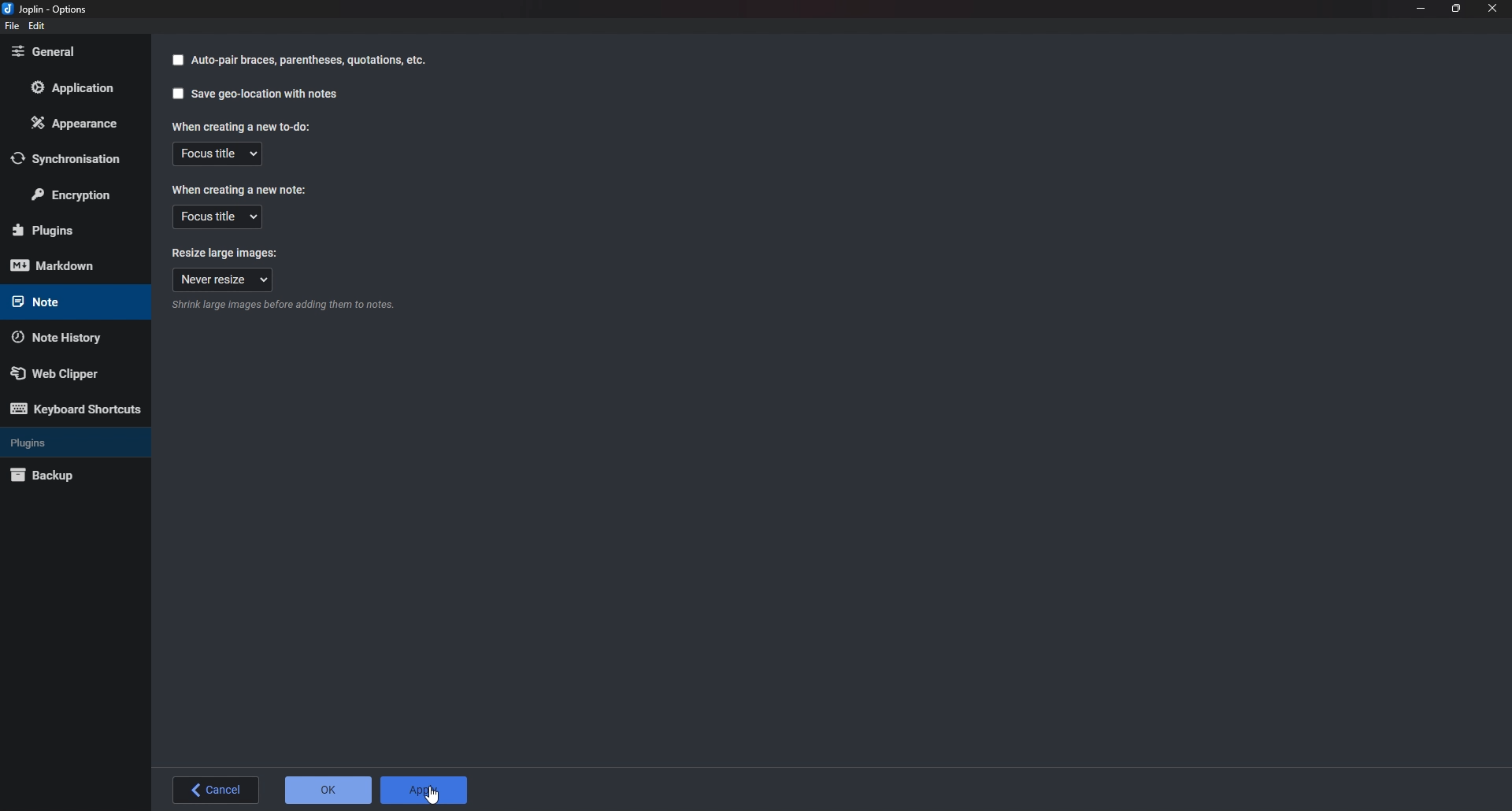 The image size is (1512, 811). Describe the element at coordinates (266, 94) in the screenshot. I see `Saves geo location with notes` at that location.